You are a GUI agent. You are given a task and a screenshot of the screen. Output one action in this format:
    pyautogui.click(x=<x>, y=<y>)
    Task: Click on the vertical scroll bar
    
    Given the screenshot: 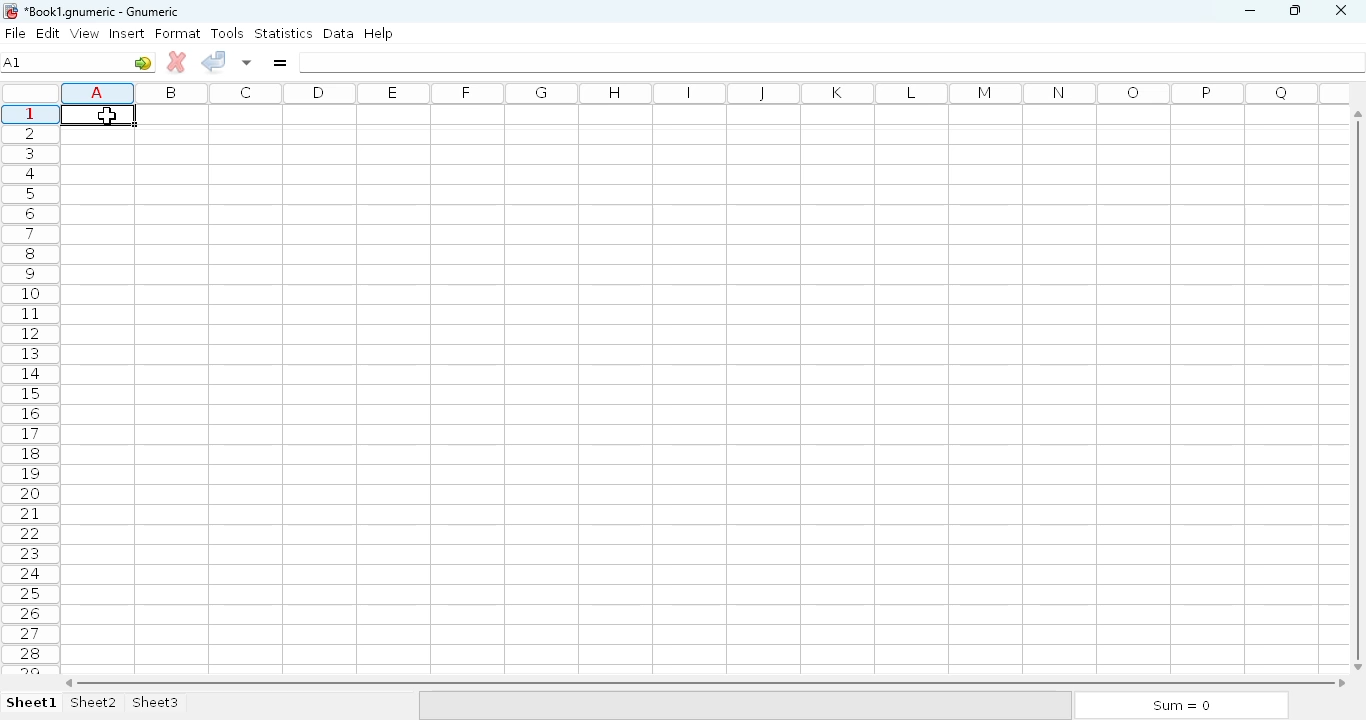 What is the action you would take?
    pyautogui.click(x=1361, y=389)
    